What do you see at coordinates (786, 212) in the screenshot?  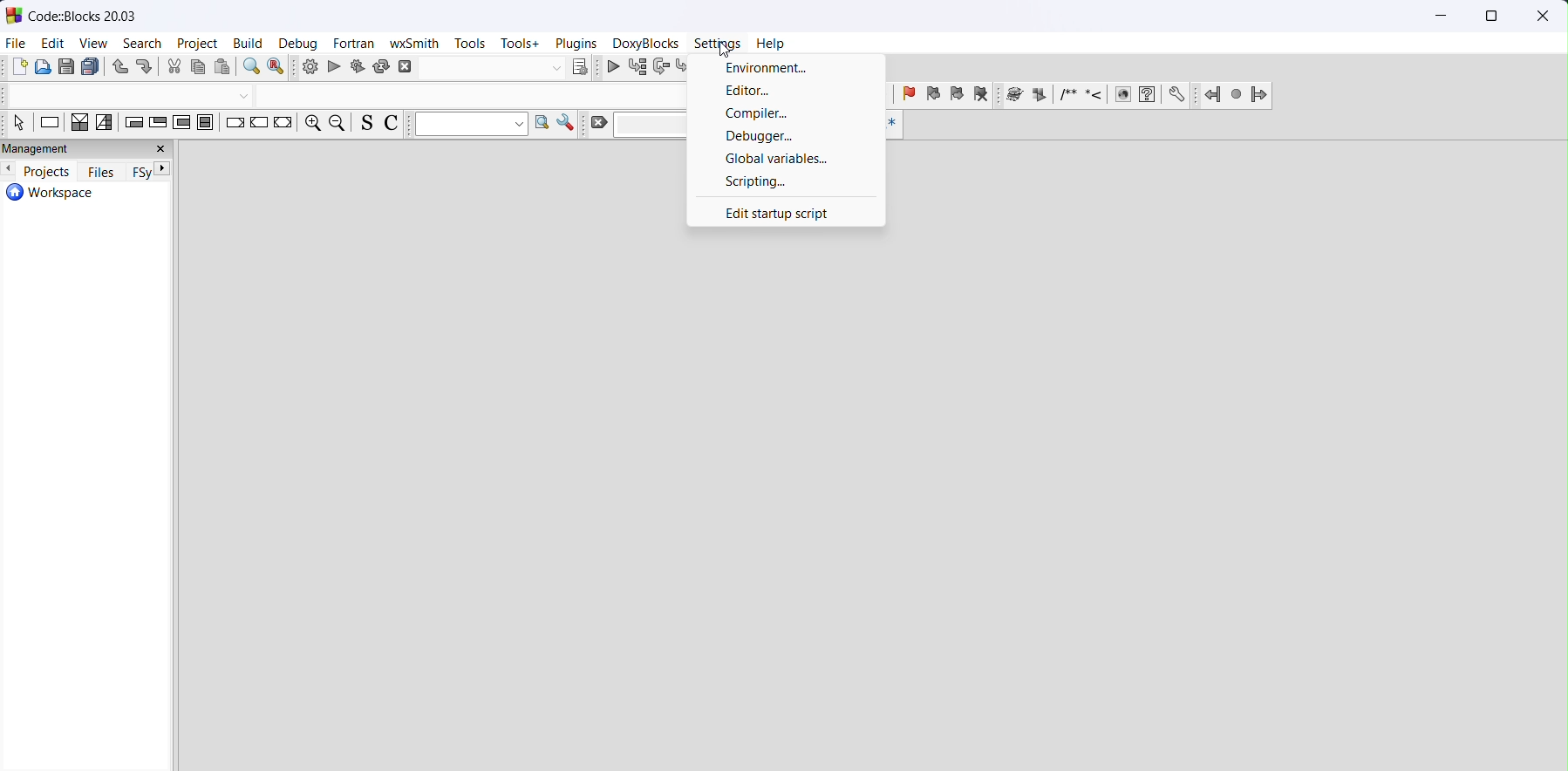 I see `edit startup script` at bounding box center [786, 212].